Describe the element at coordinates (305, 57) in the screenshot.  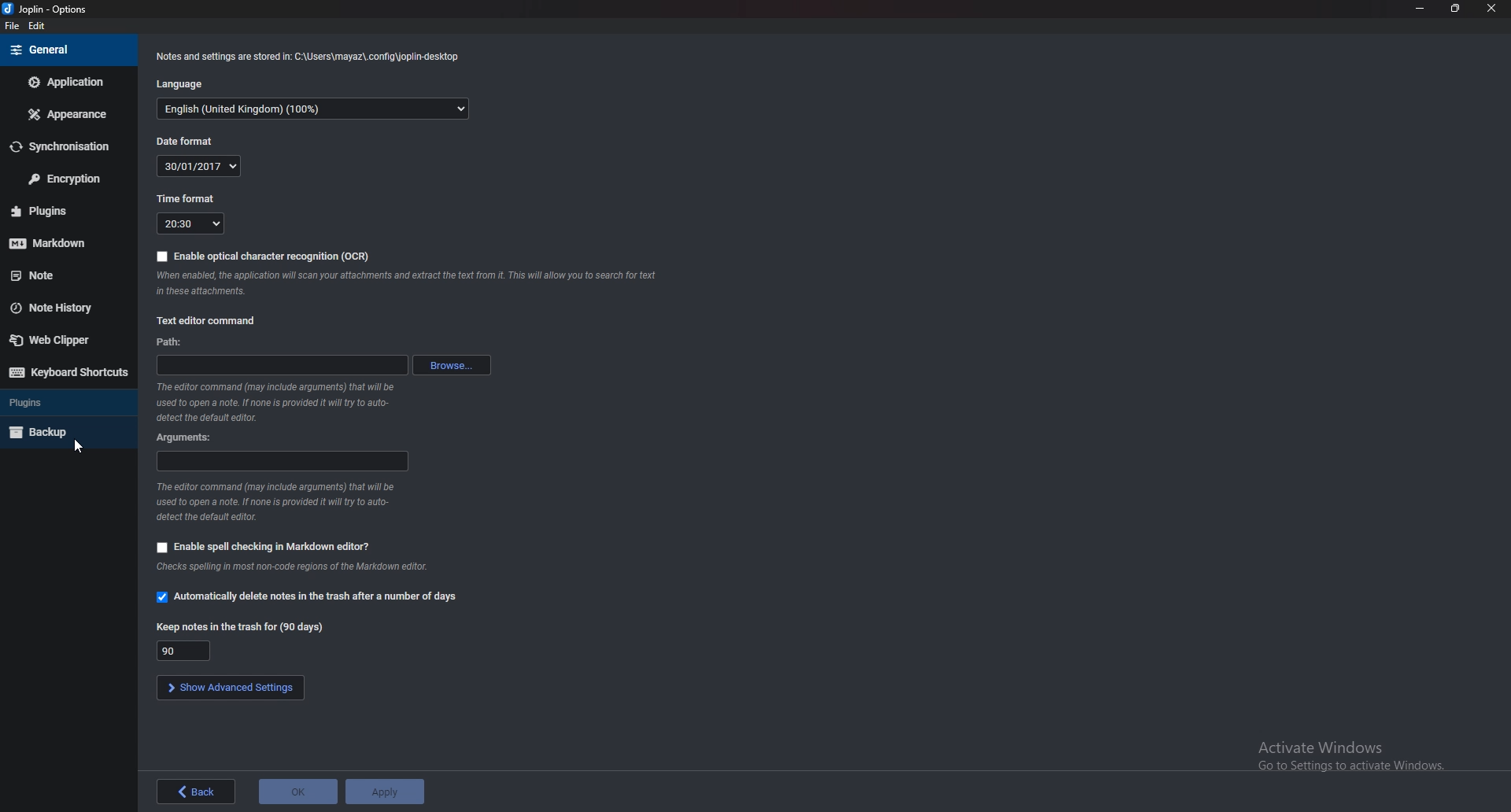
I see `Info` at that location.